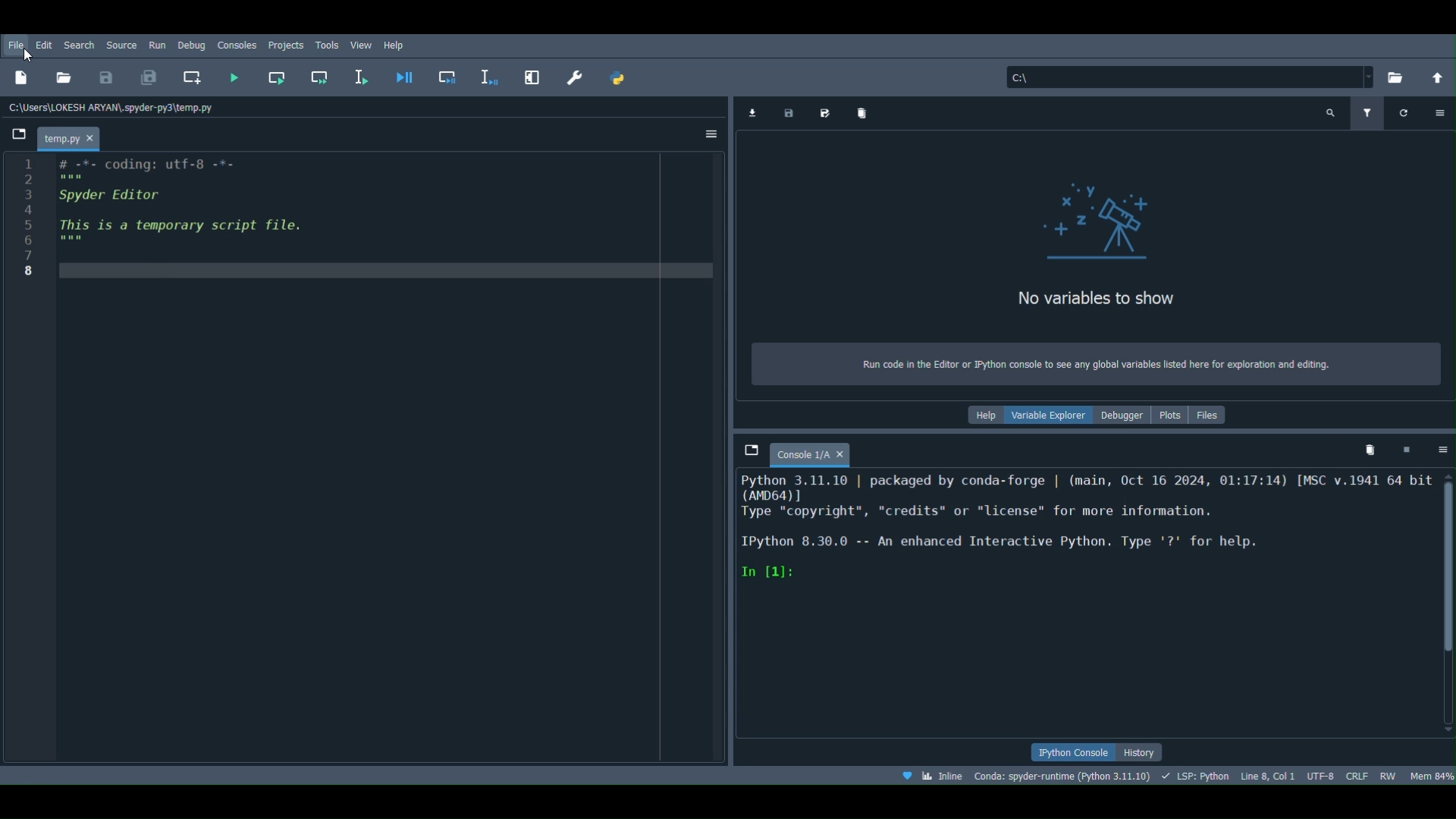 This screenshot has height=819, width=1456. I want to click on Projects, so click(287, 44).